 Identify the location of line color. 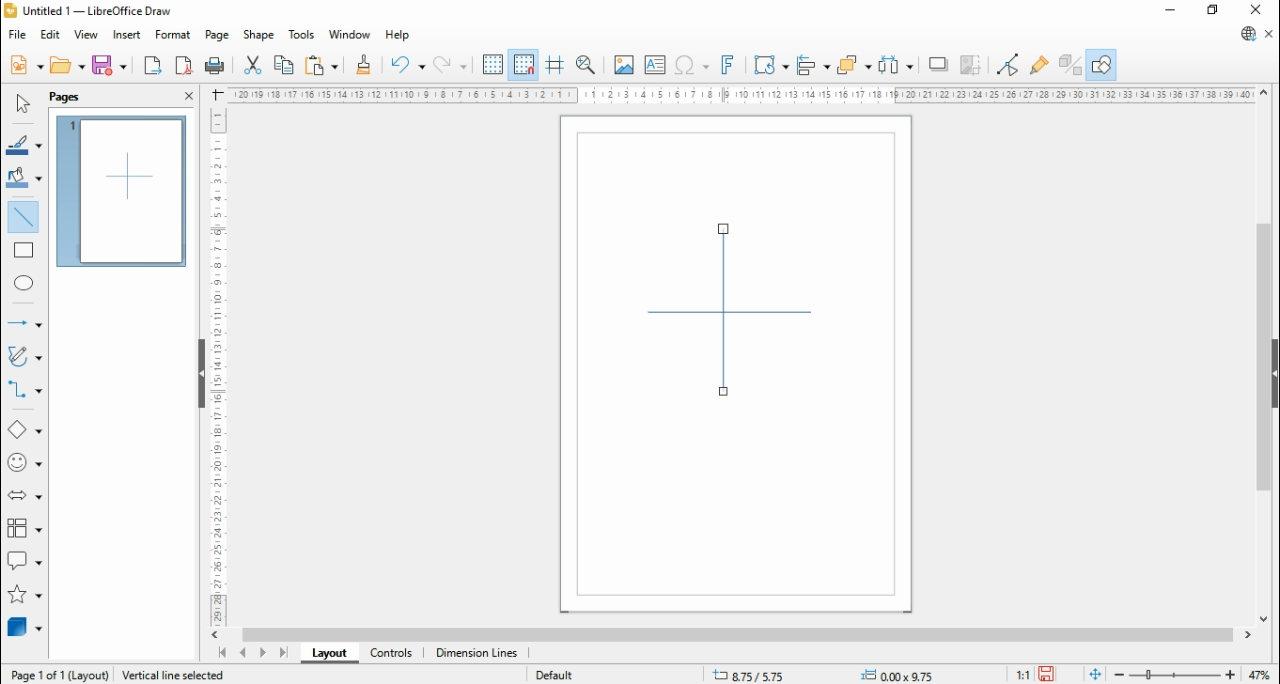
(24, 145).